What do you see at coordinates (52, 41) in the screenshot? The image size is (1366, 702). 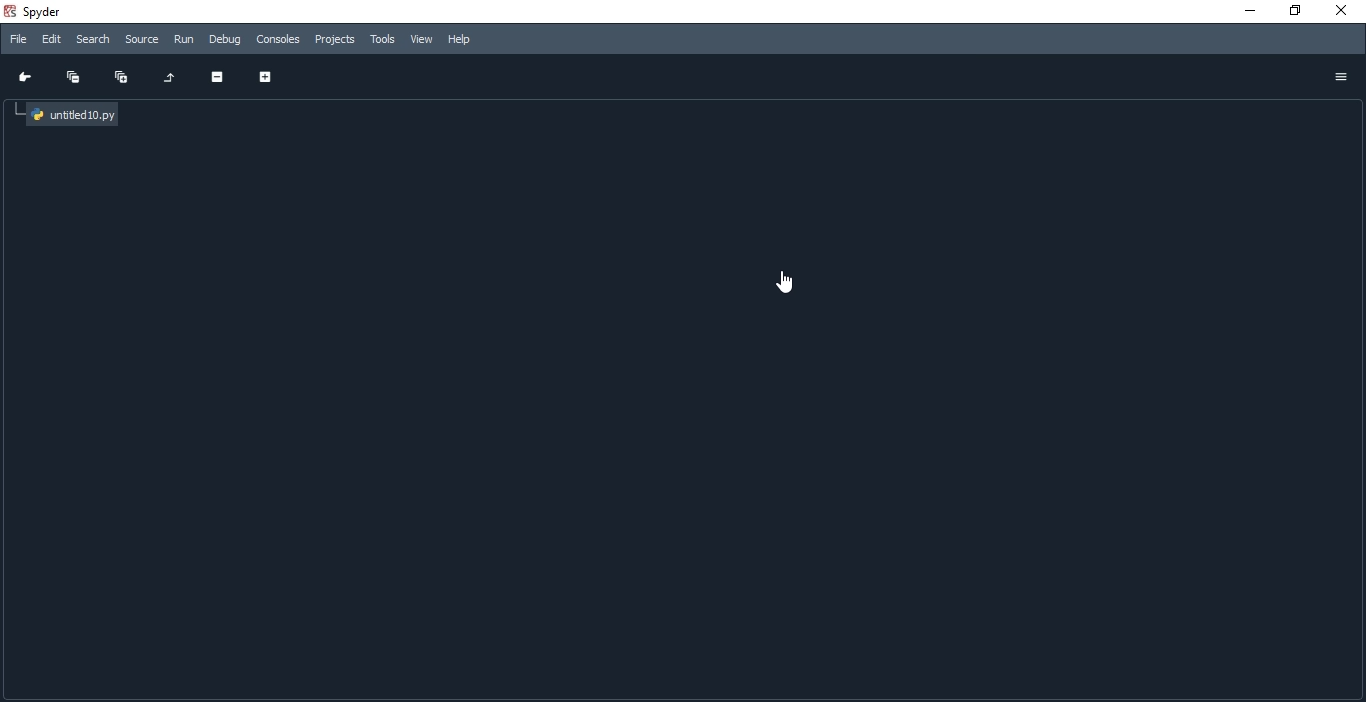 I see `Edit` at bounding box center [52, 41].